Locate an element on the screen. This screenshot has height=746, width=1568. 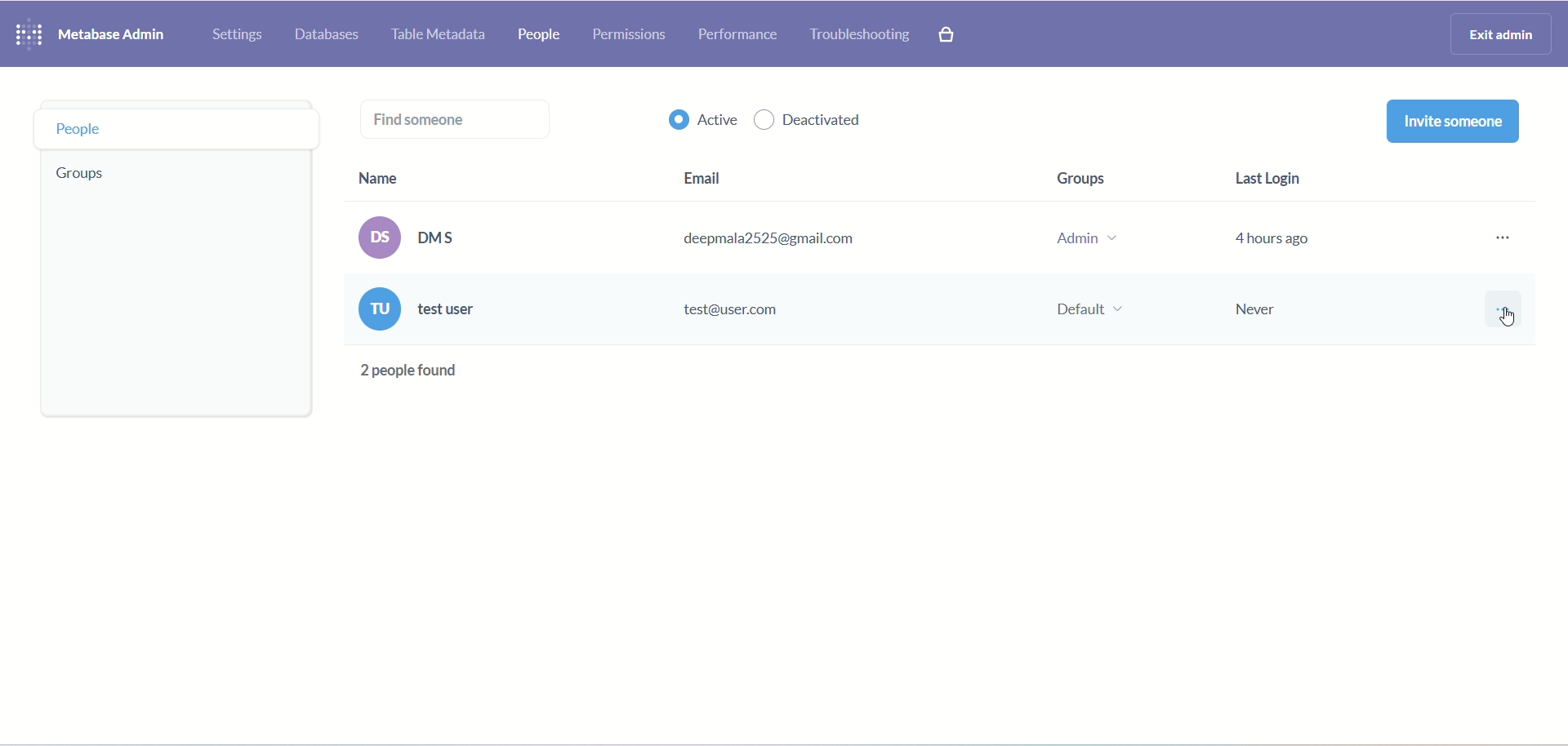
email is located at coordinates (768, 176).